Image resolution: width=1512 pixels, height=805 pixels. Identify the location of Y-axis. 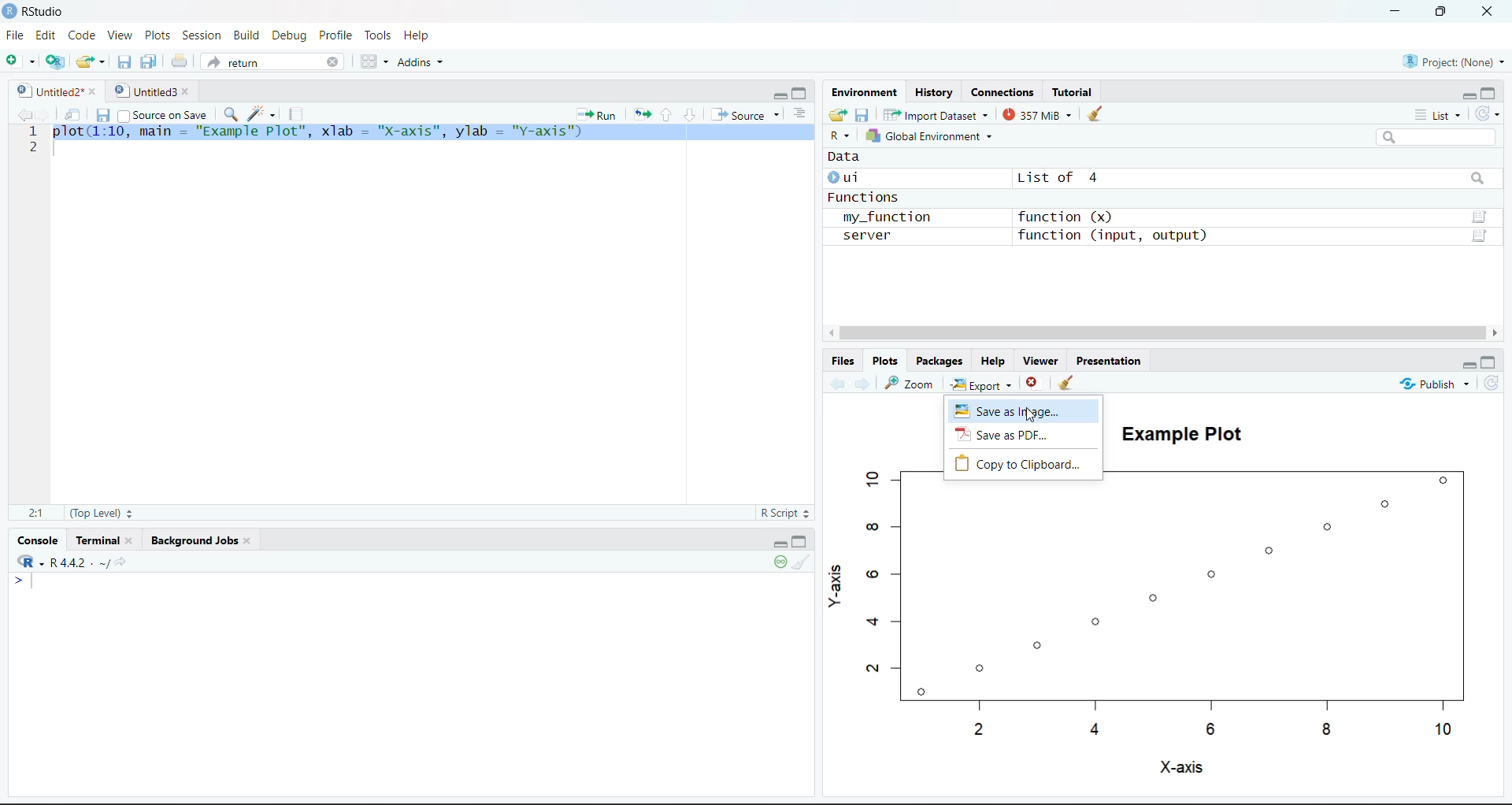
(836, 584).